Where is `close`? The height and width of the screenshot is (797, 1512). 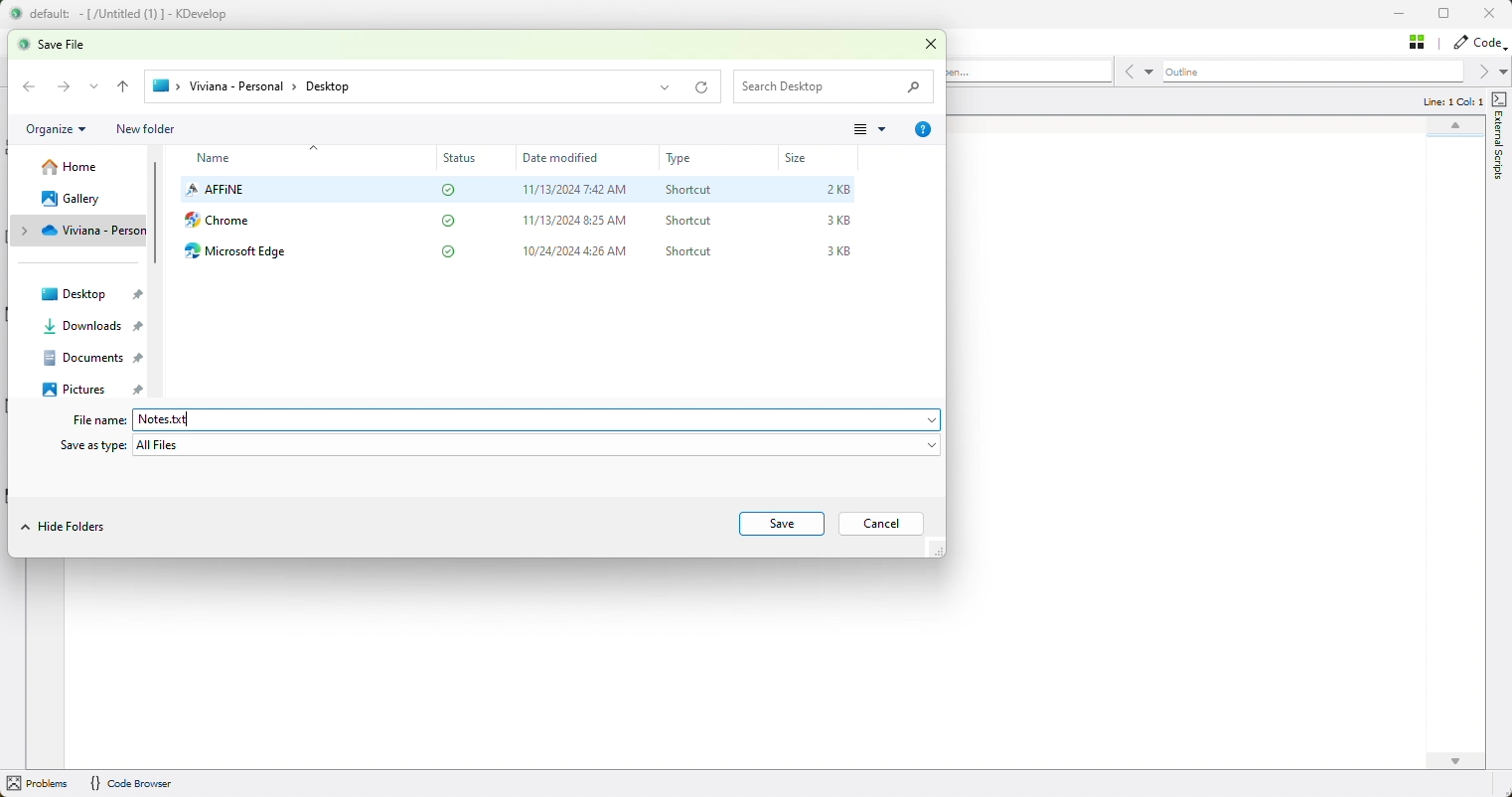 close is located at coordinates (1494, 14).